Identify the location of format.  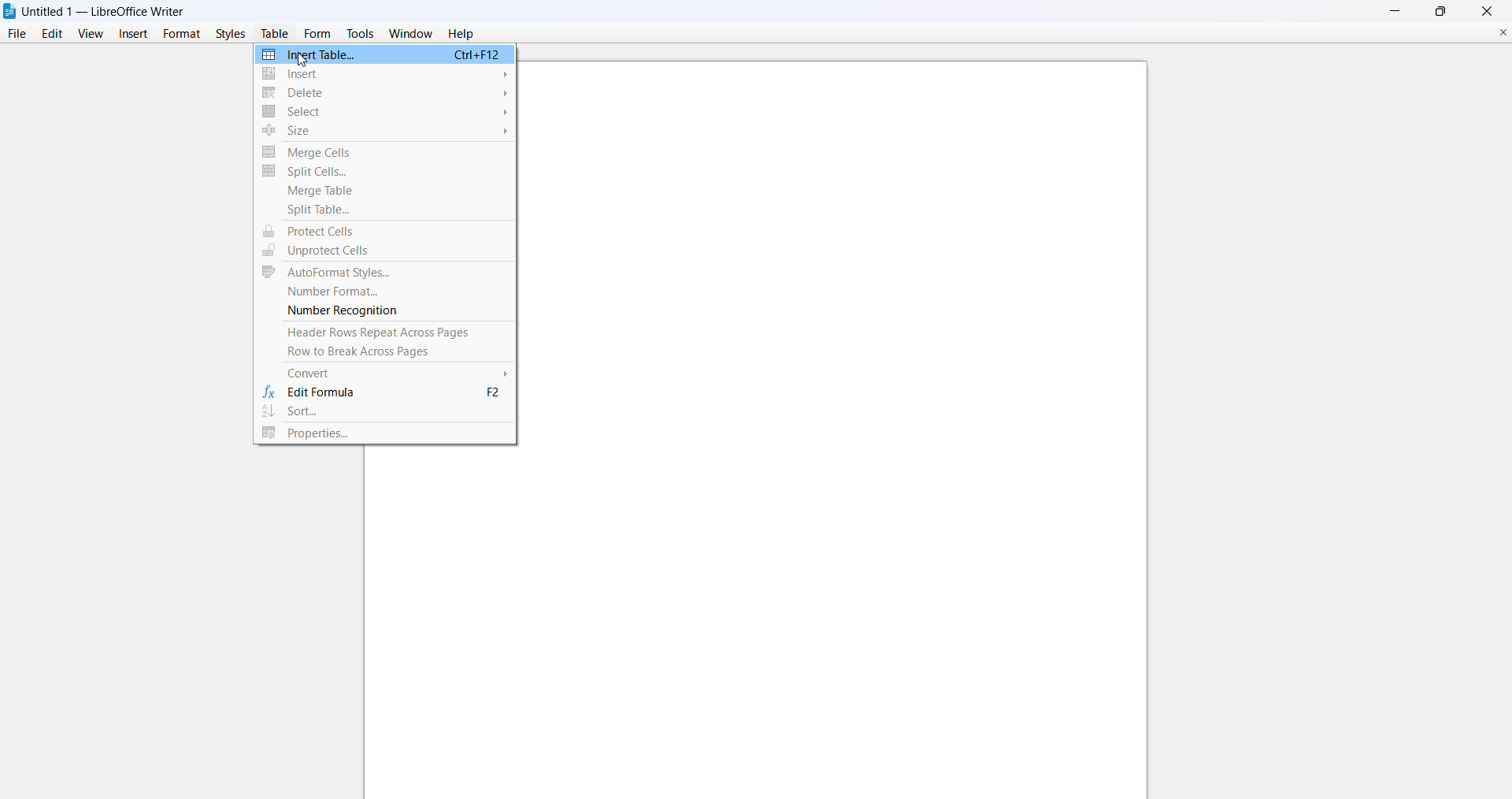
(179, 32).